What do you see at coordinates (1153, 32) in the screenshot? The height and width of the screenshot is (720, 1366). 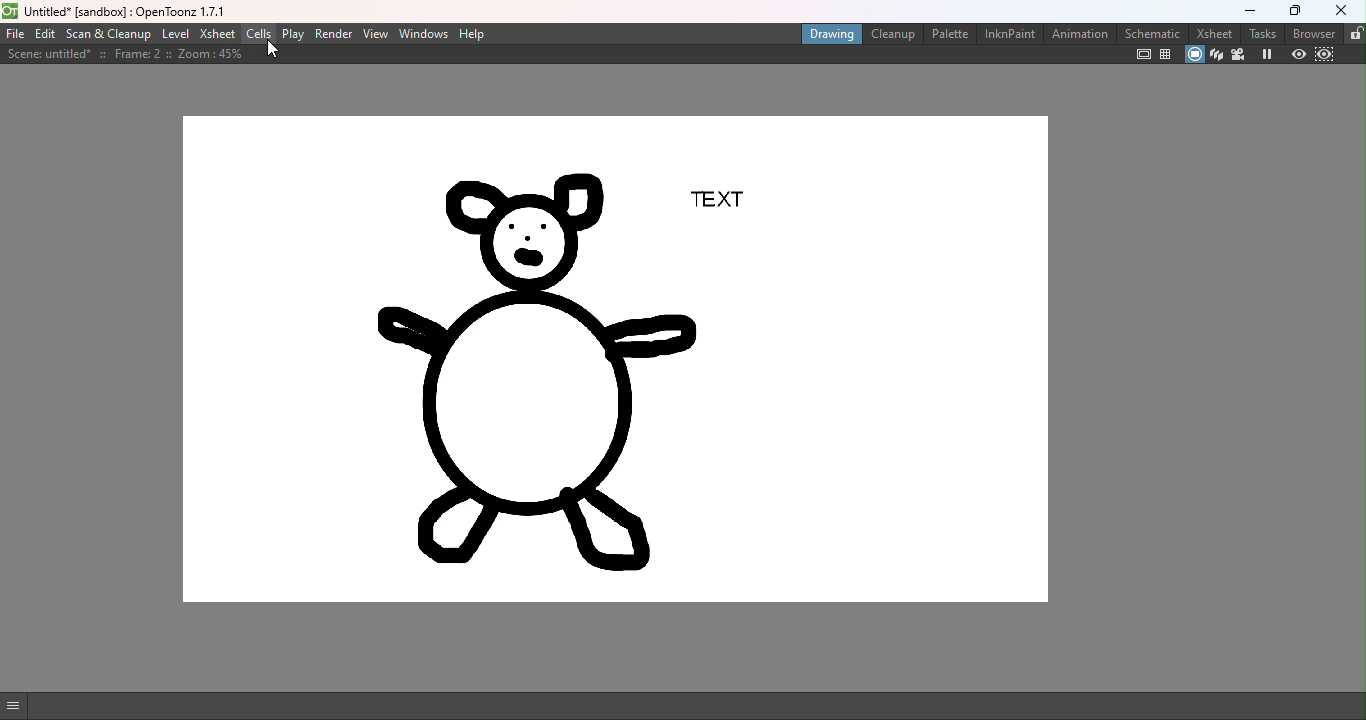 I see `Schematic` at bounding box center [1153, 32].